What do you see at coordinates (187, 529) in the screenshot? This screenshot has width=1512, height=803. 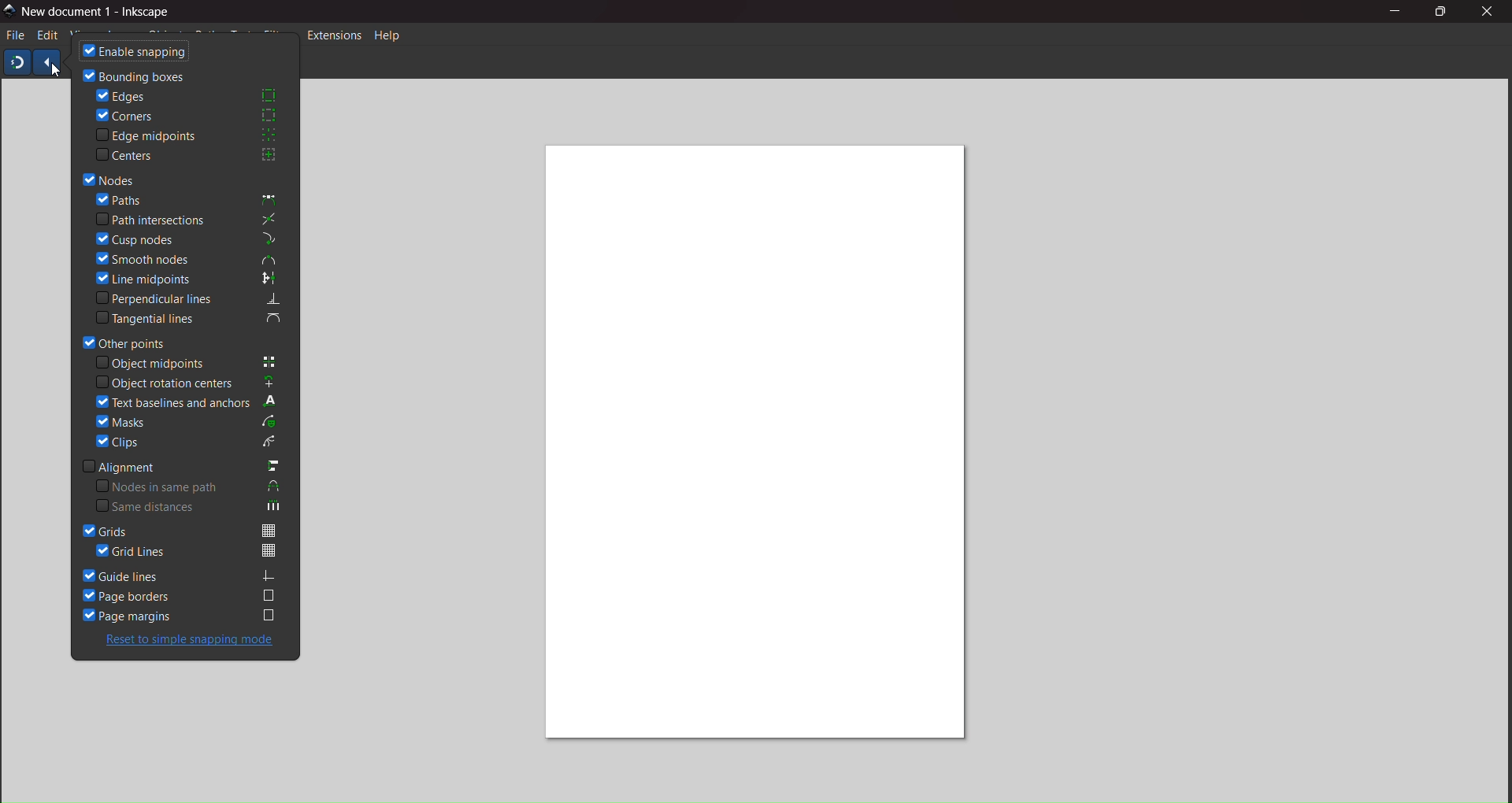 I see `grids` at bounding box center [187, 529].